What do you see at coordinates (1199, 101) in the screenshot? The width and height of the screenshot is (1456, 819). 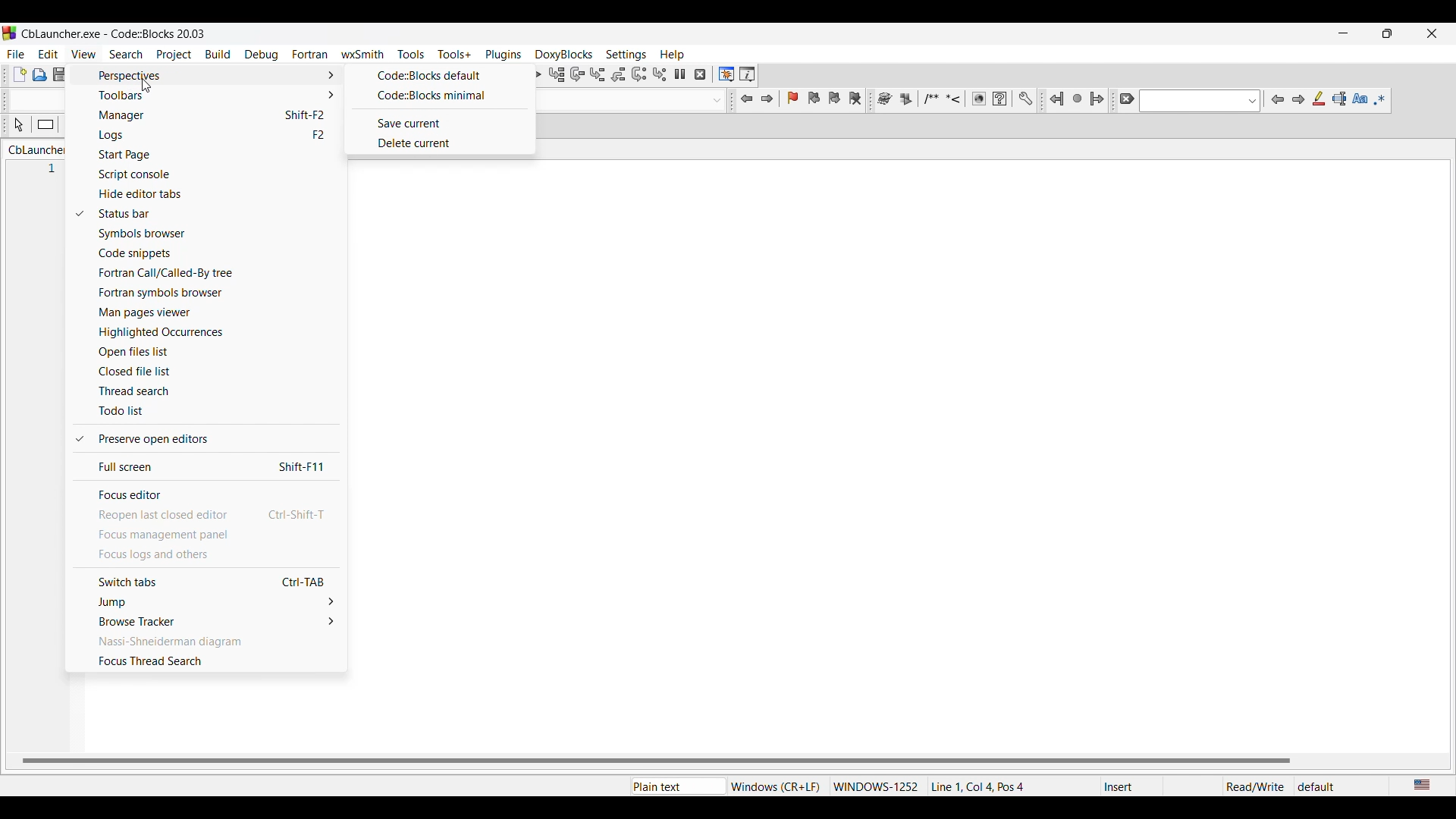 I see `Text box with options` at bounding box center [1199, 101].